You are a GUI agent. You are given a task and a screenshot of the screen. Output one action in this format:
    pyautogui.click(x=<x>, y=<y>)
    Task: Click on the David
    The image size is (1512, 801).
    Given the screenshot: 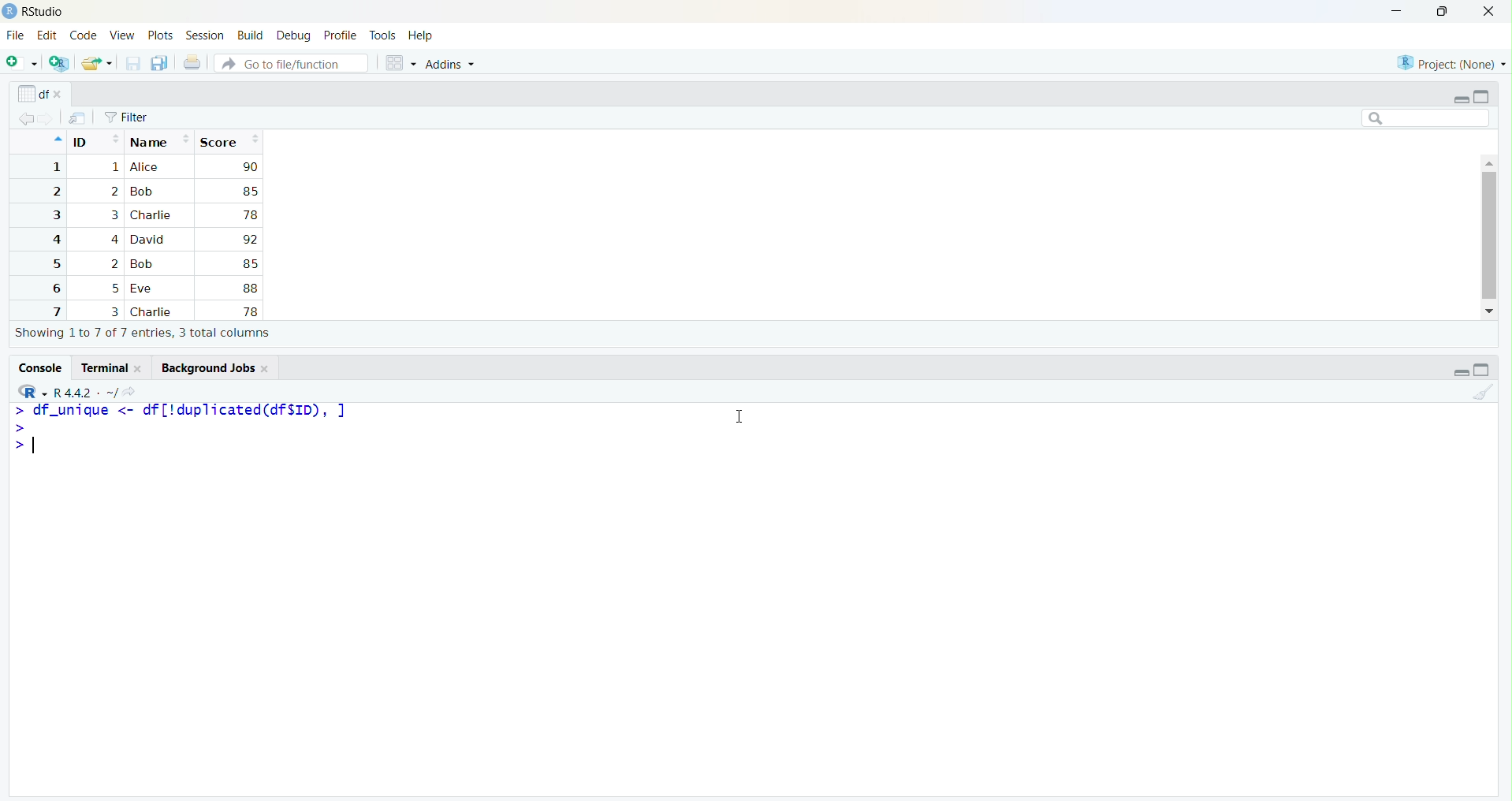 What is the action you would take?
    pyautogui.click(x=150, y=238)
    